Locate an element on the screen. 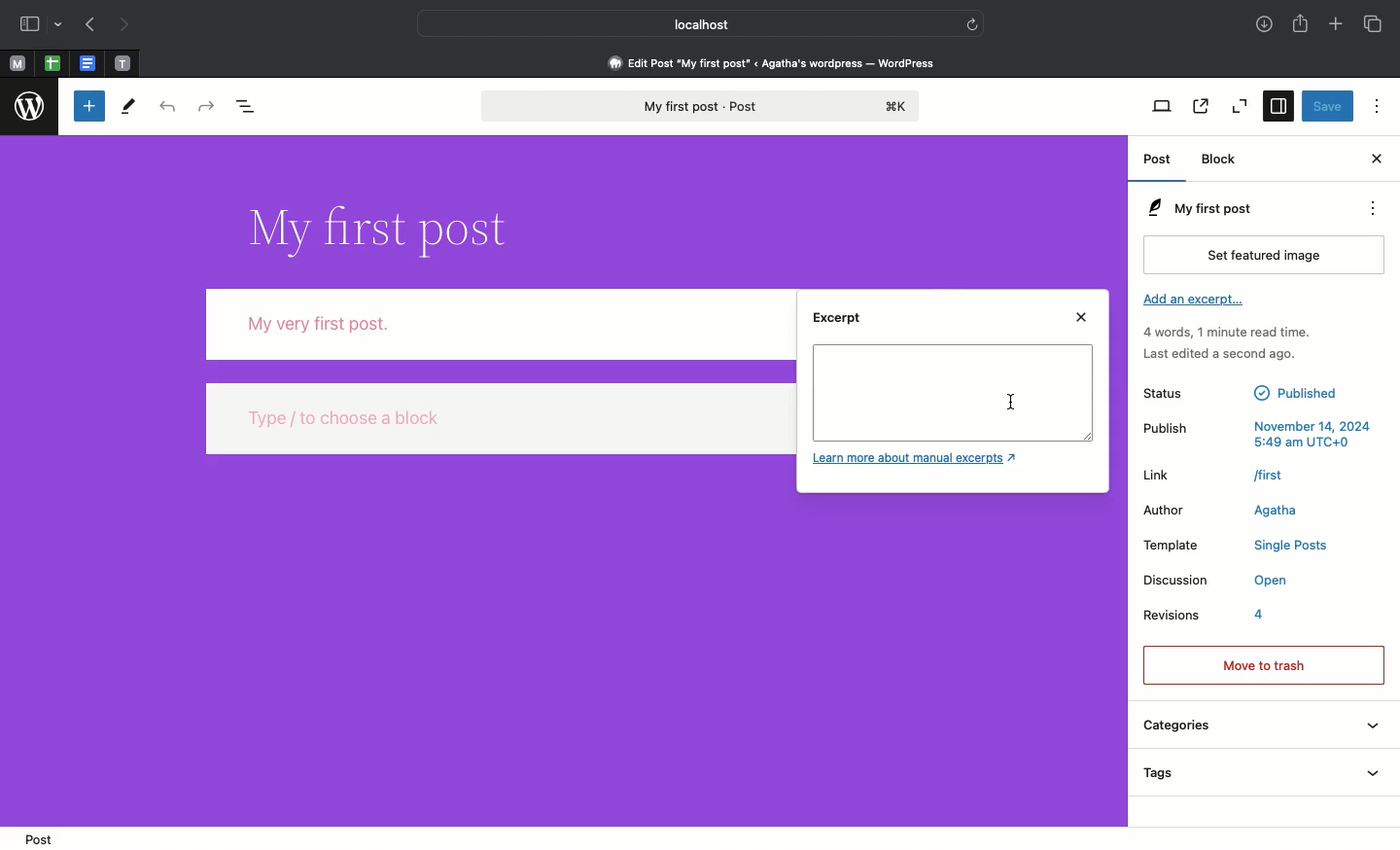 Image resolution: width=1400 pixels, height=850 pixels. Author is located at coordinates (1230, 510).